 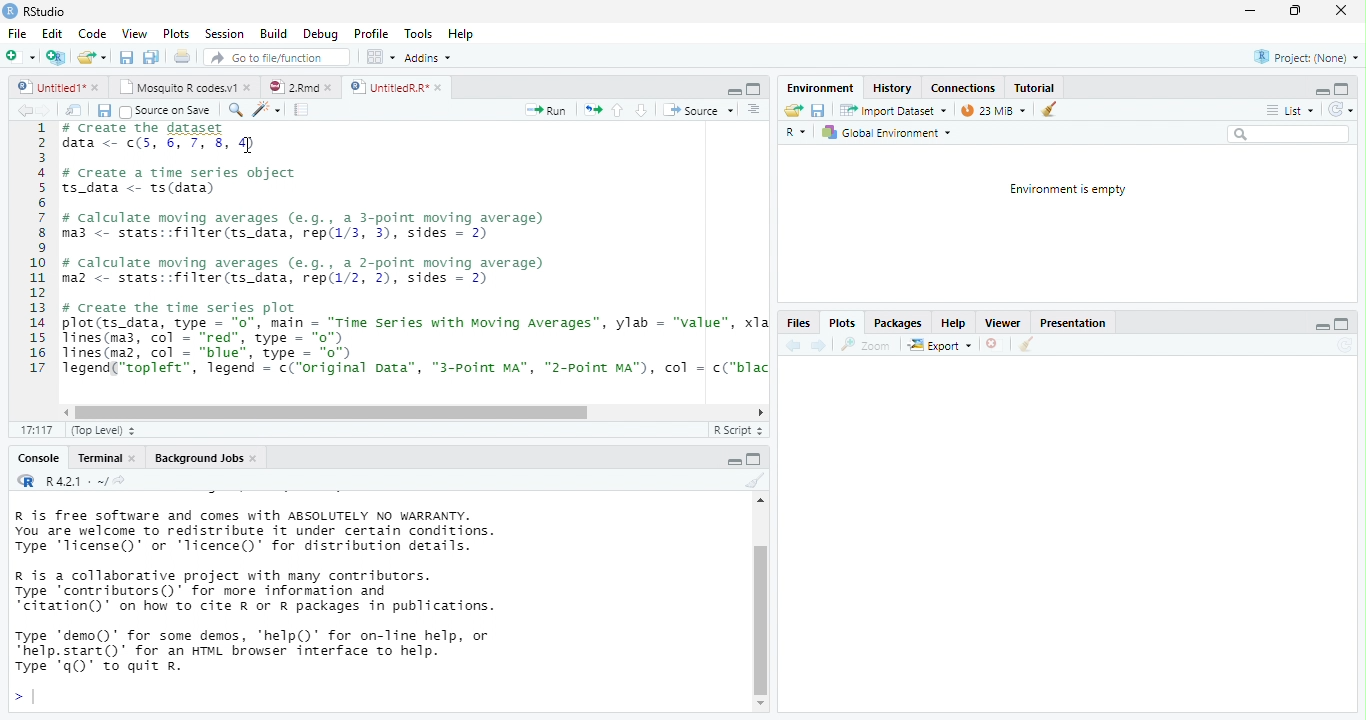 What do you see at coordinates (735, 462) in the screenshot?
I see `maximize` at bounding box center [735, 462].